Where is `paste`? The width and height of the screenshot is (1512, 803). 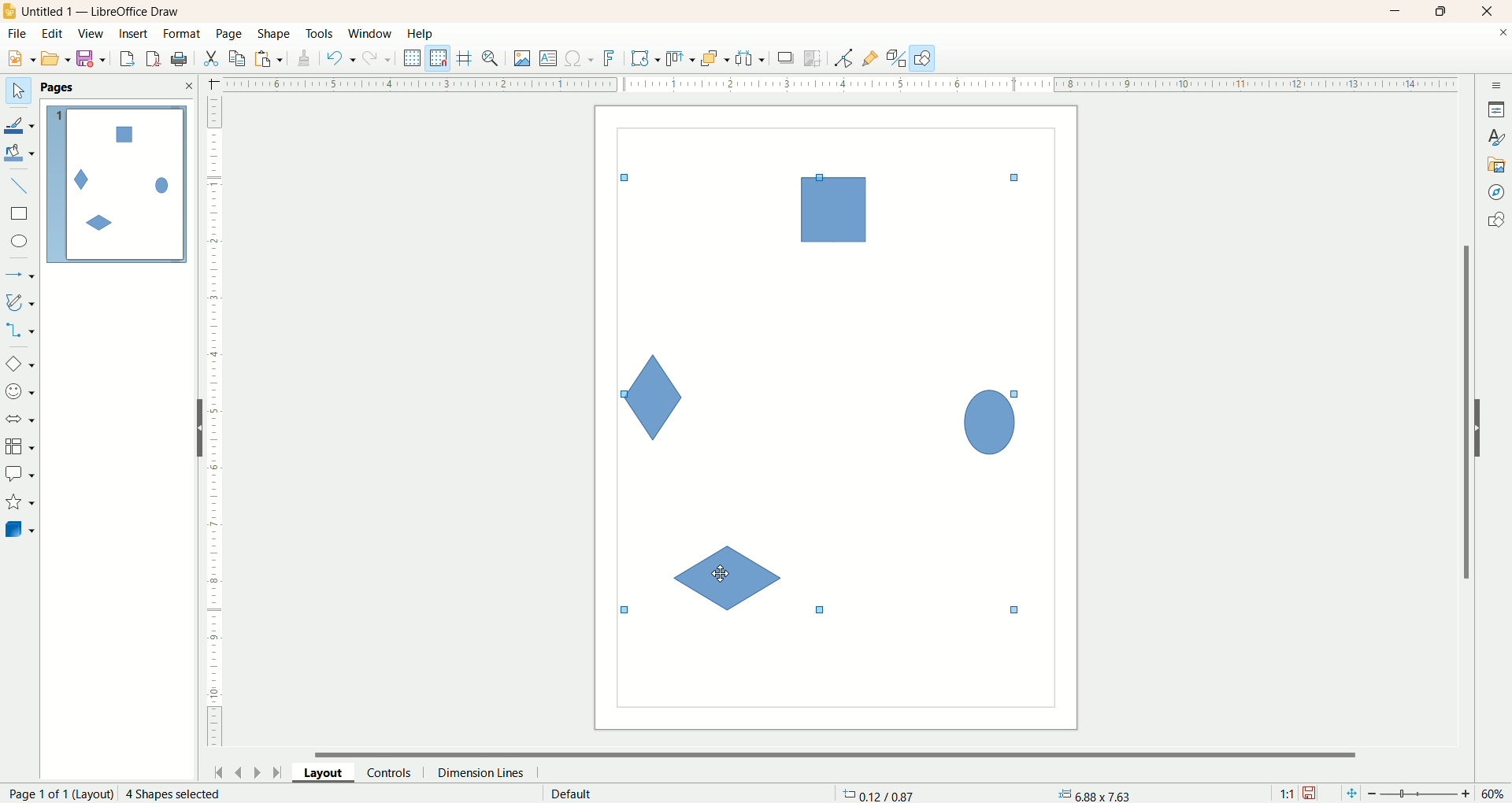 paste is located at coordinates (272, 57).